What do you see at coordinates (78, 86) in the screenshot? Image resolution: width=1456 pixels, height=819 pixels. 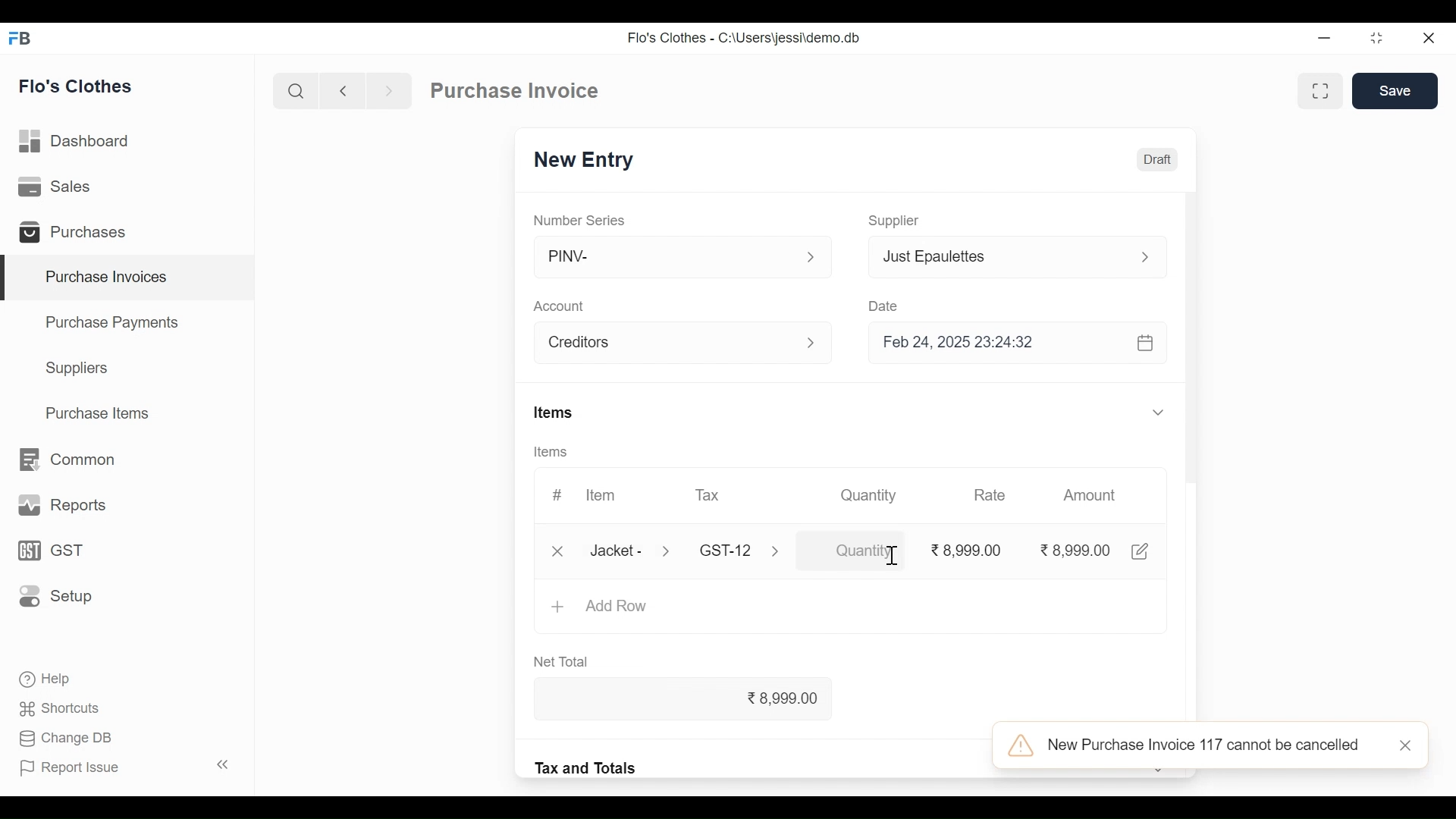 I see `Flo's Clothes` at bounding box center [78, 86].